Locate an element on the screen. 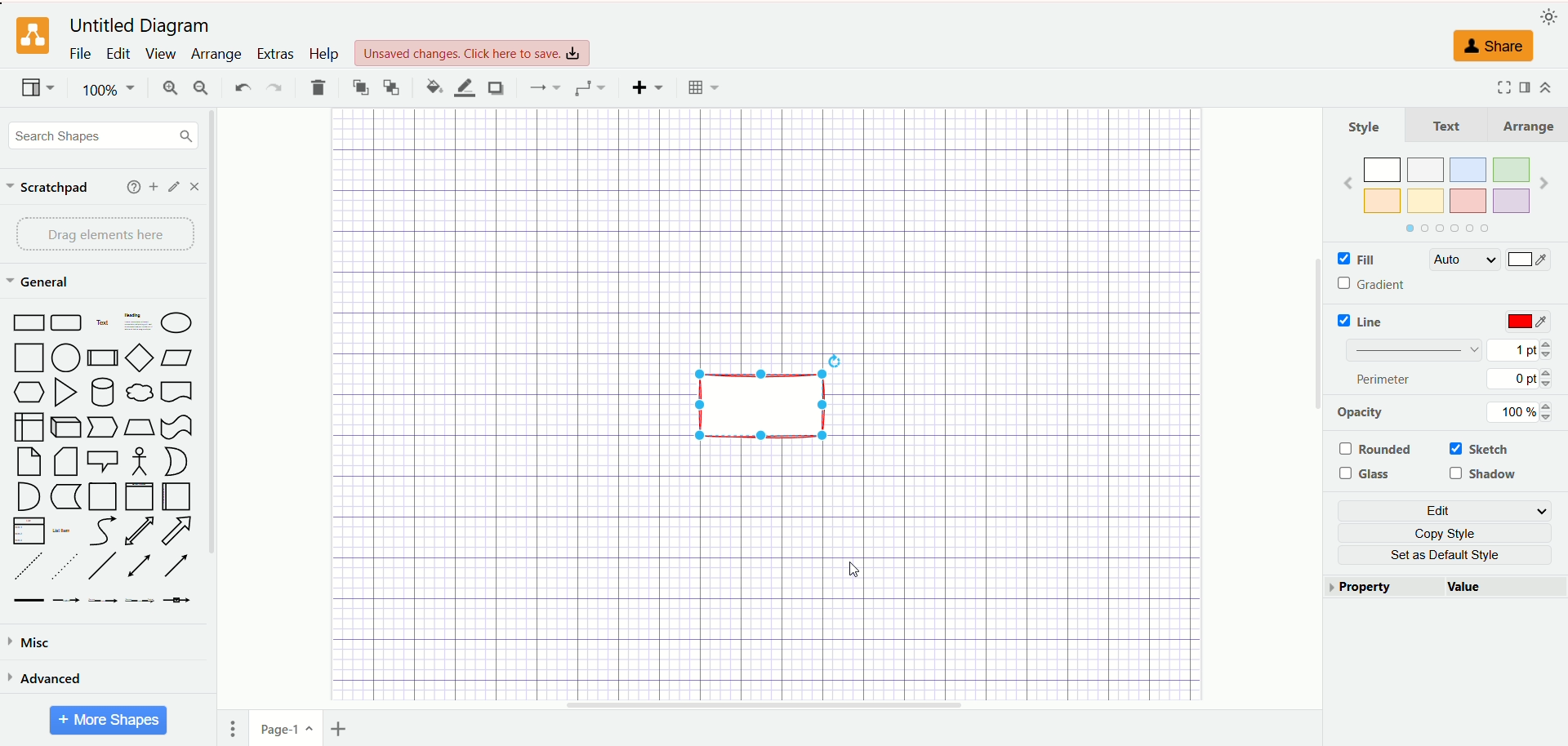 The height and width of the screenshot is (746, 1568). search shapes is located at coordinates (101, 136).